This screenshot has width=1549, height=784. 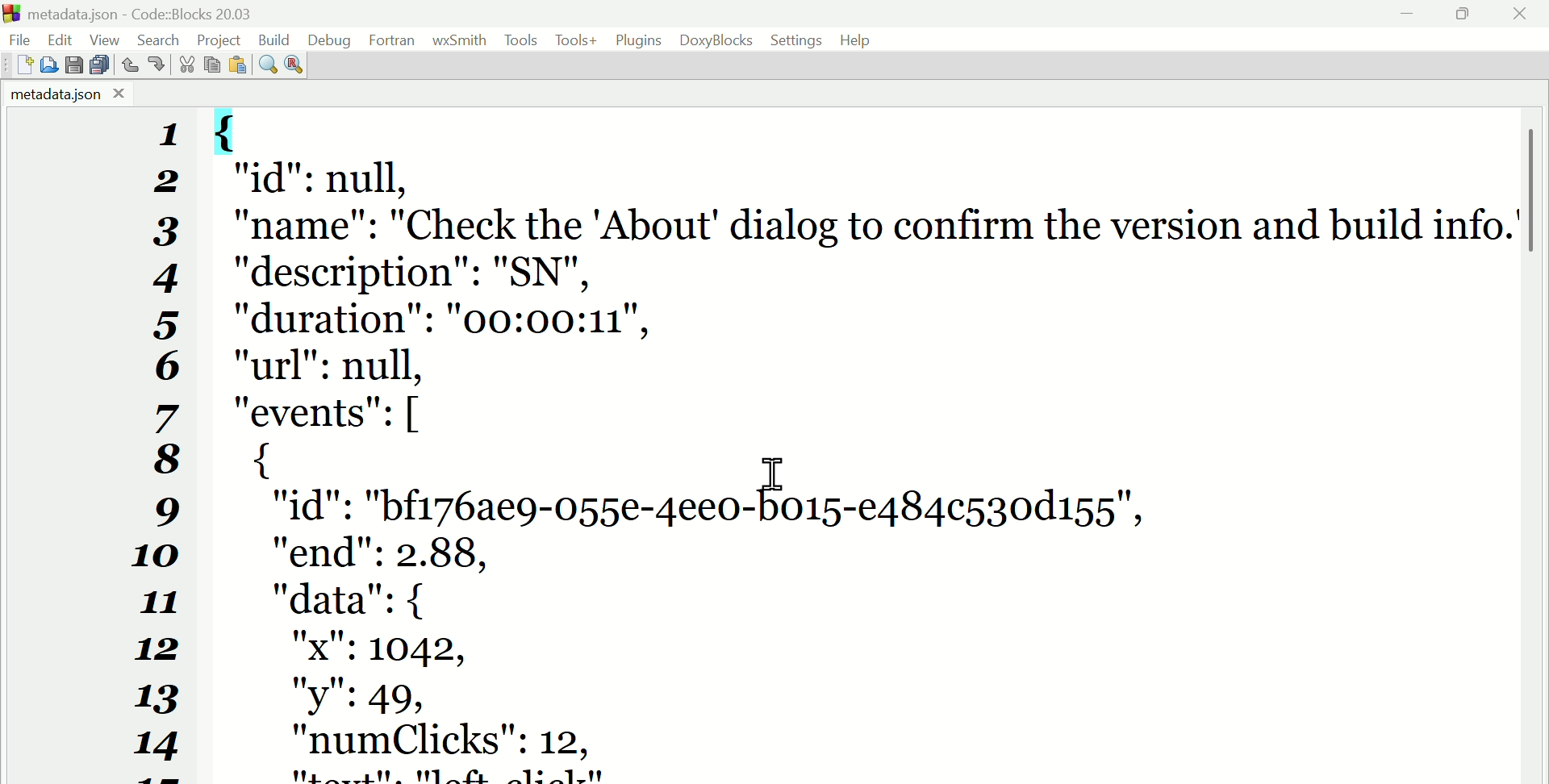 I want to click on Tools, so click(x=522, y=40).